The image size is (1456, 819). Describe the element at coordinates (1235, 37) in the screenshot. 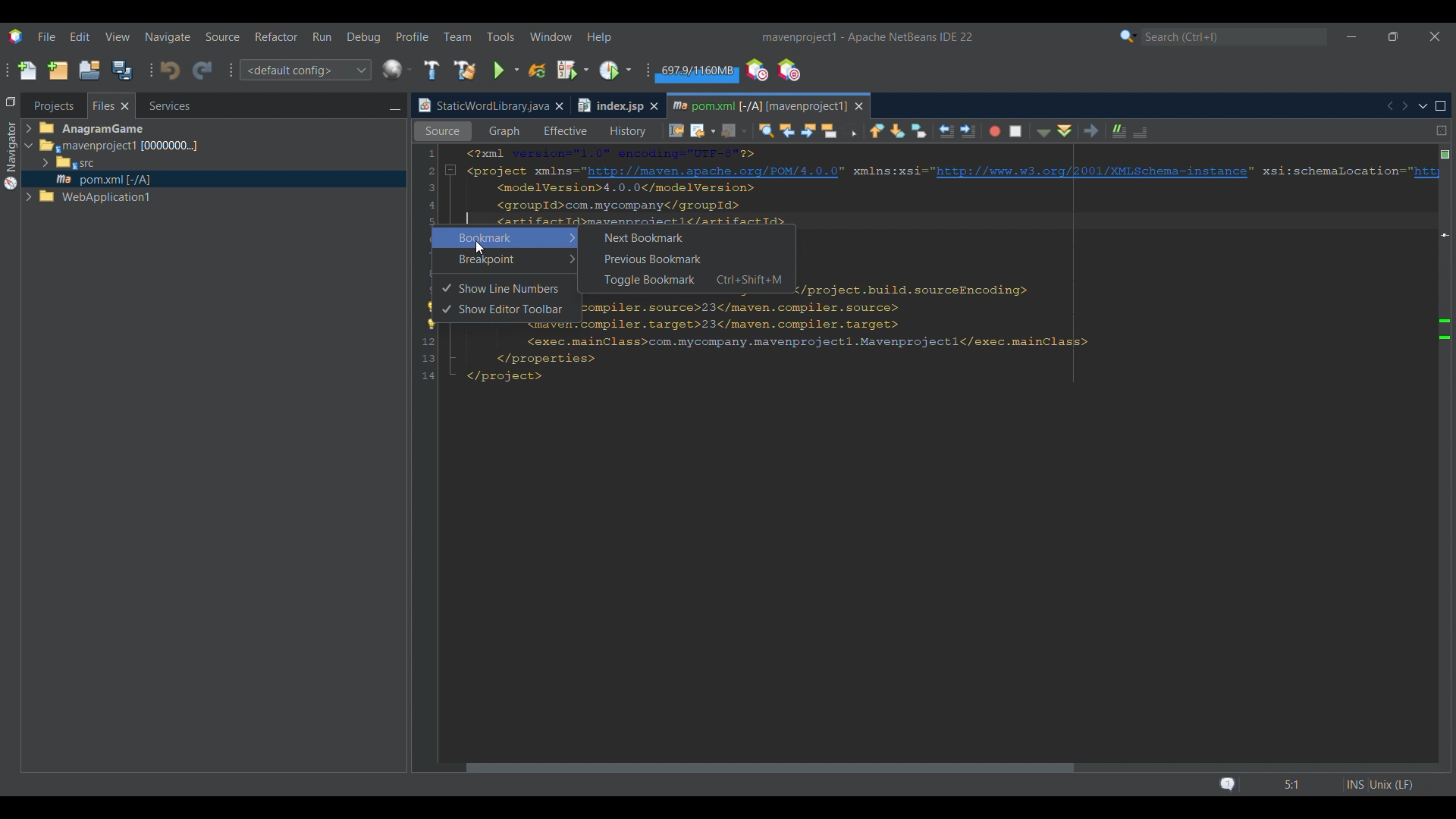

I see `Search` at that location.